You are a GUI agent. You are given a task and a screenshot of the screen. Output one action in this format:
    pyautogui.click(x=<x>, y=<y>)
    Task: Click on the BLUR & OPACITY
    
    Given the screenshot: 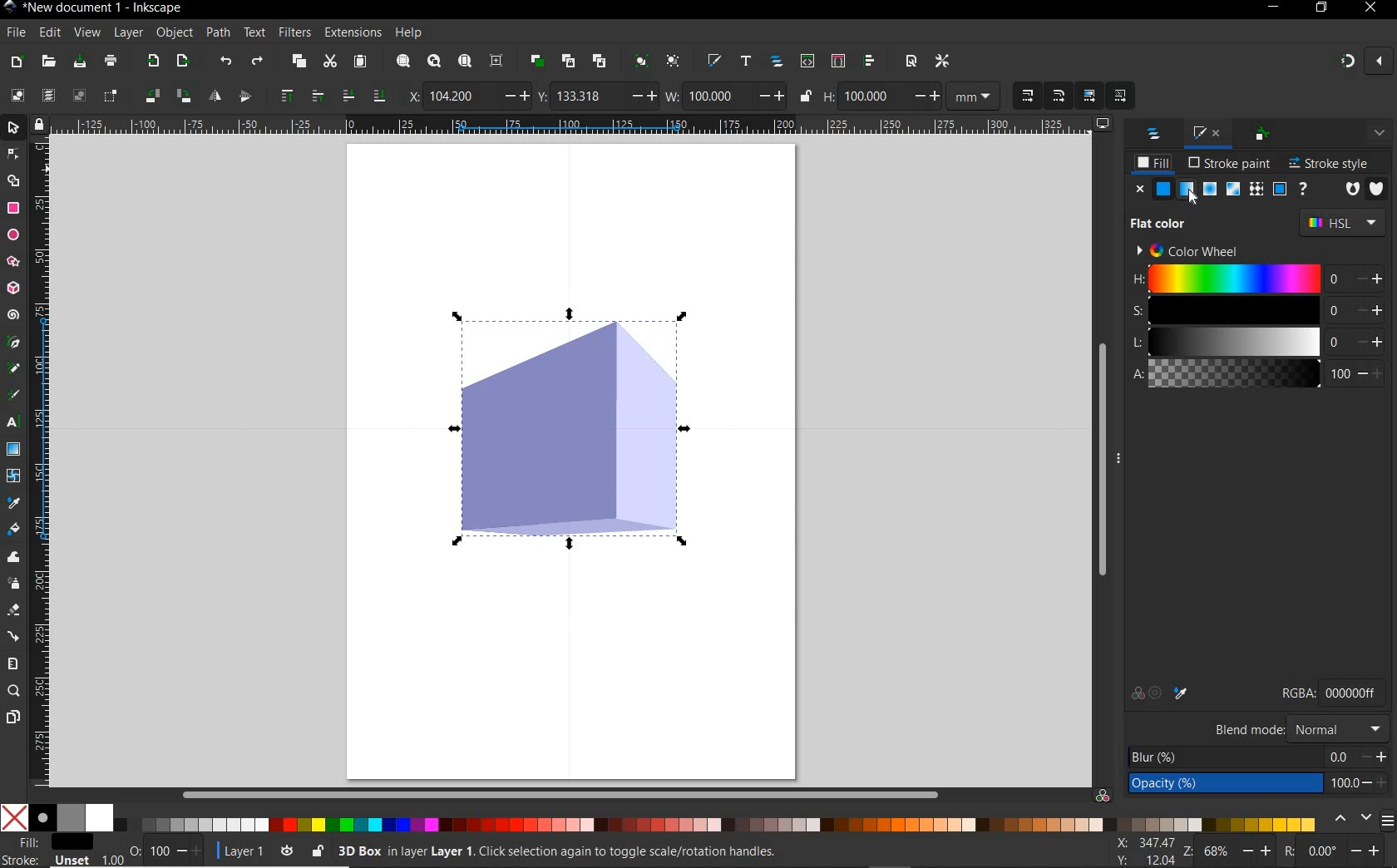 What is the action you would take?
    pyautogui.click(x=1223, y=770)
    